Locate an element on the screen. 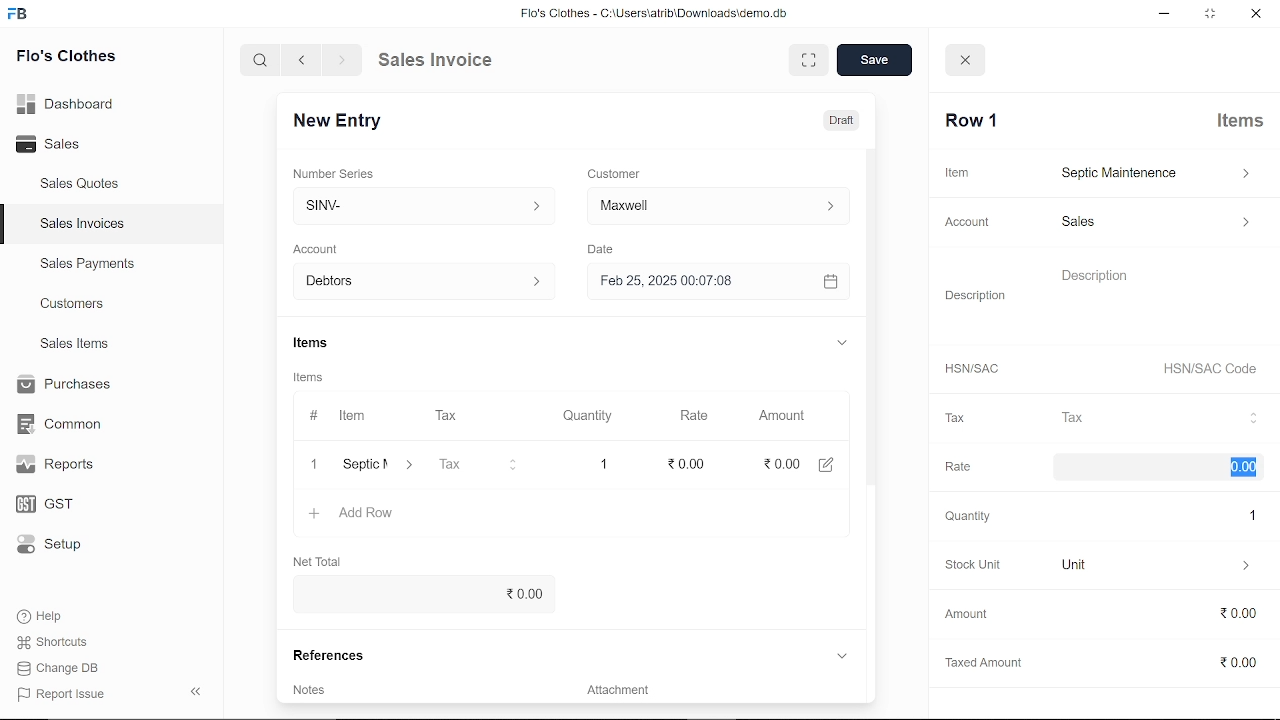 Image resolution: width=1280 pixels, height=720 pixels. edit rate is located at coordinates (687, 463).